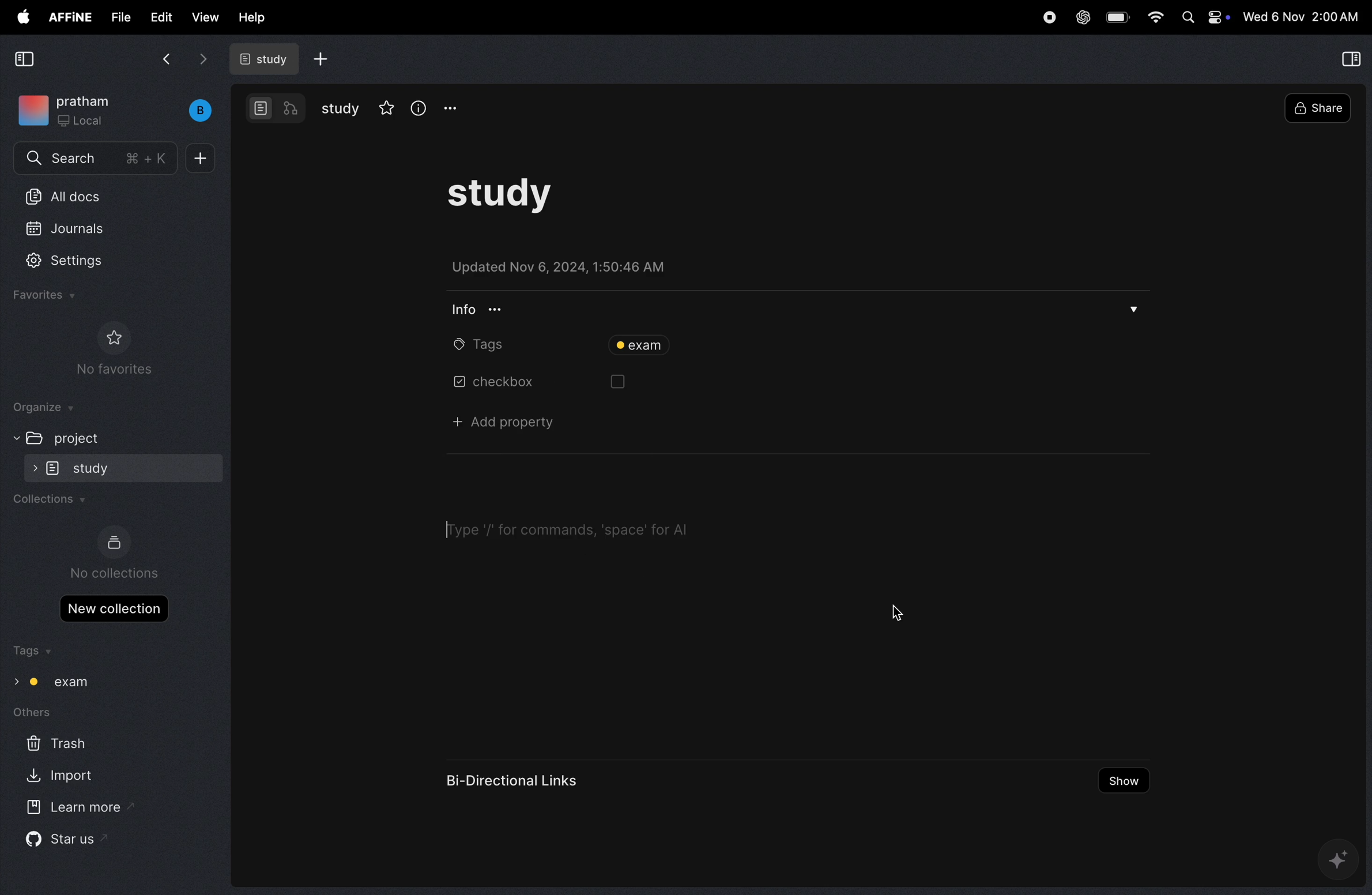 The image size is (1372, 895). What do you see at coordinates (636, 345) in the screenshot?
I see `exam tags` at bounding box center [636, 345].